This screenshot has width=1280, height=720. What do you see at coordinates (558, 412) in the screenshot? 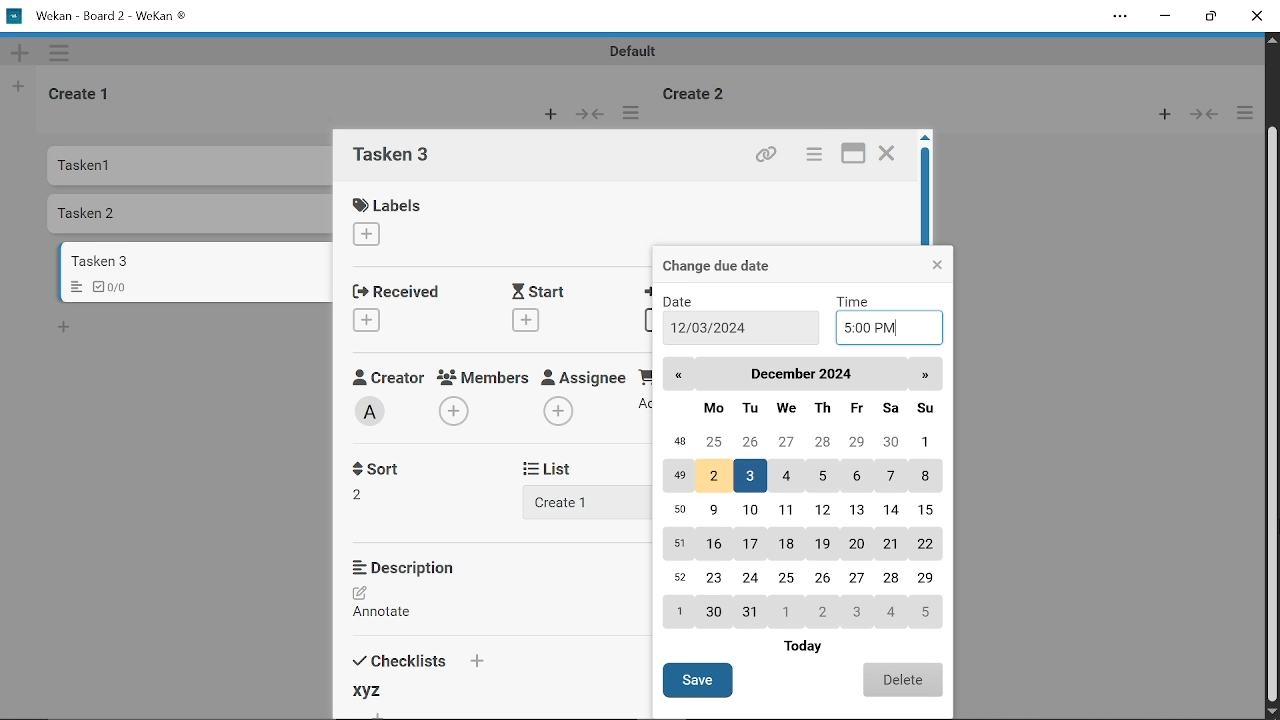
I see `Add assignee` at bounding box center [558, 412].